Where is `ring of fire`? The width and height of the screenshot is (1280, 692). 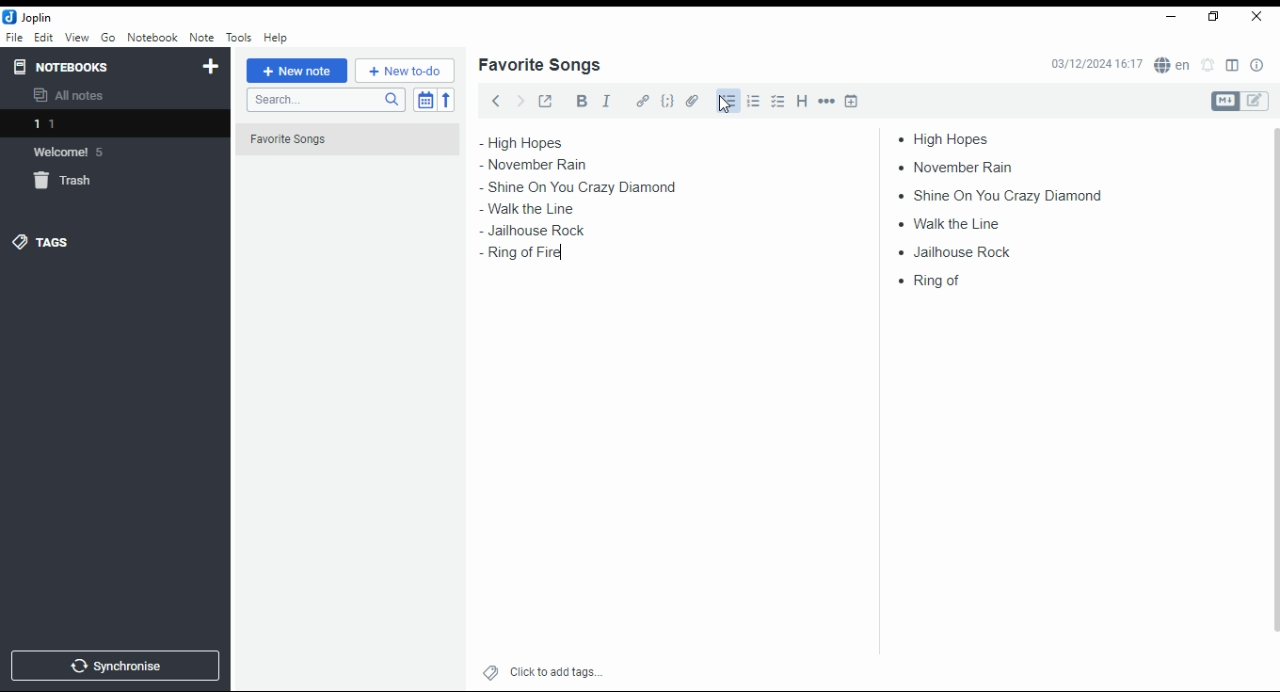
ring of fire is located at coordinates (528, 253).